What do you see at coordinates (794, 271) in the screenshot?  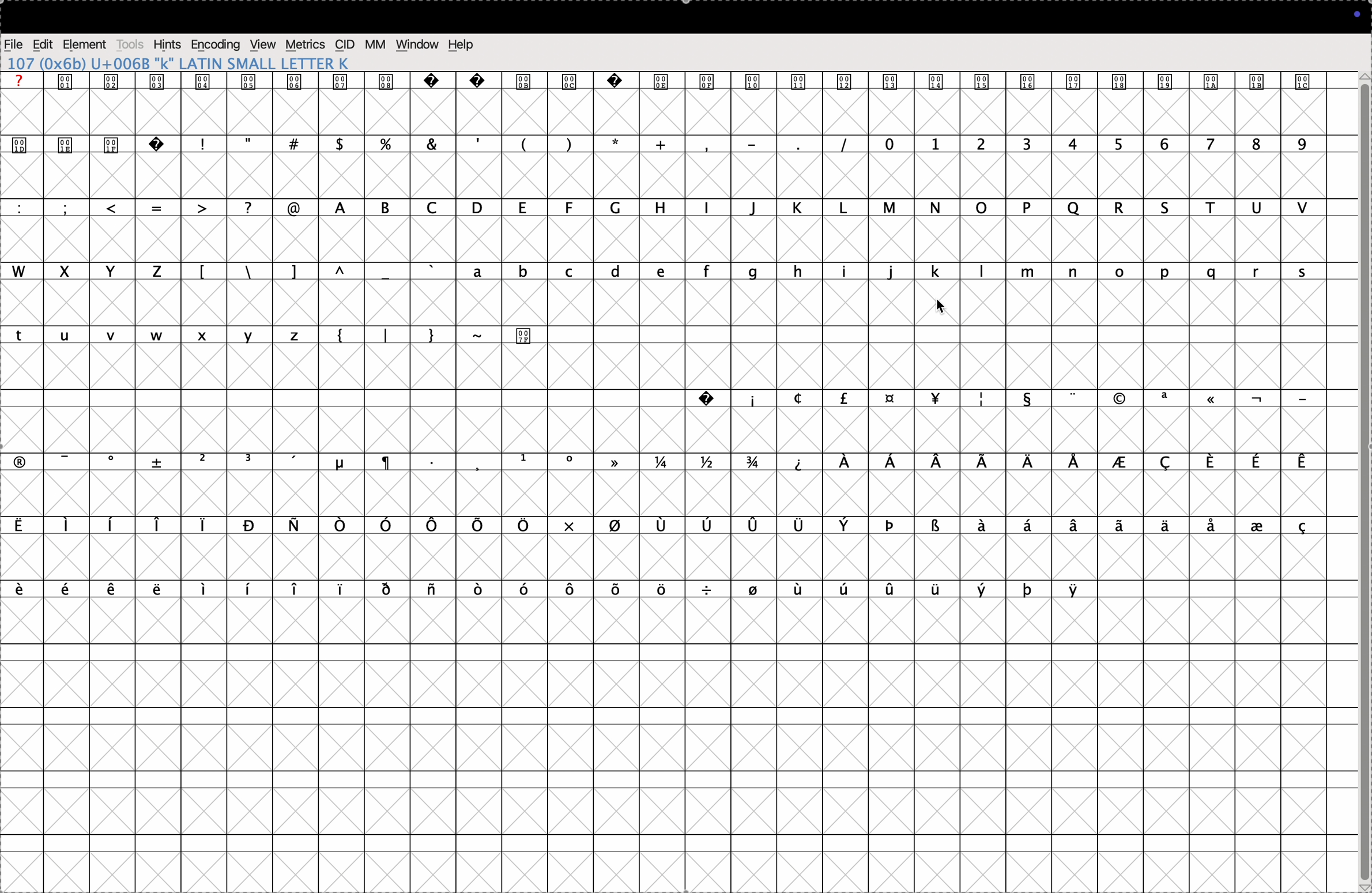 I see `h` at bounding box center [794, 271].